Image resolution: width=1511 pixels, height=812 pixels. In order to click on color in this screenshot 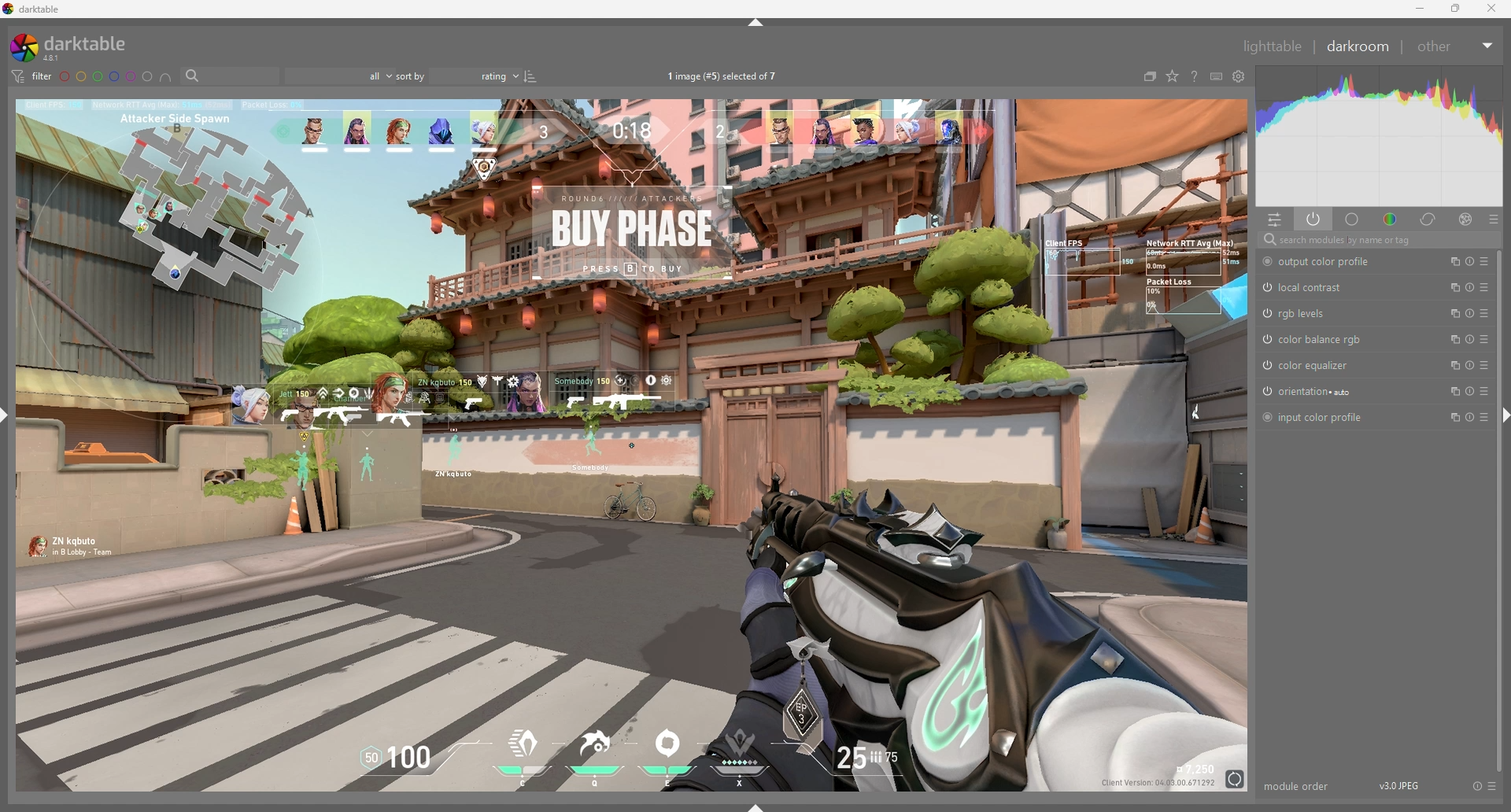, I will do `click(1392, 218)`.